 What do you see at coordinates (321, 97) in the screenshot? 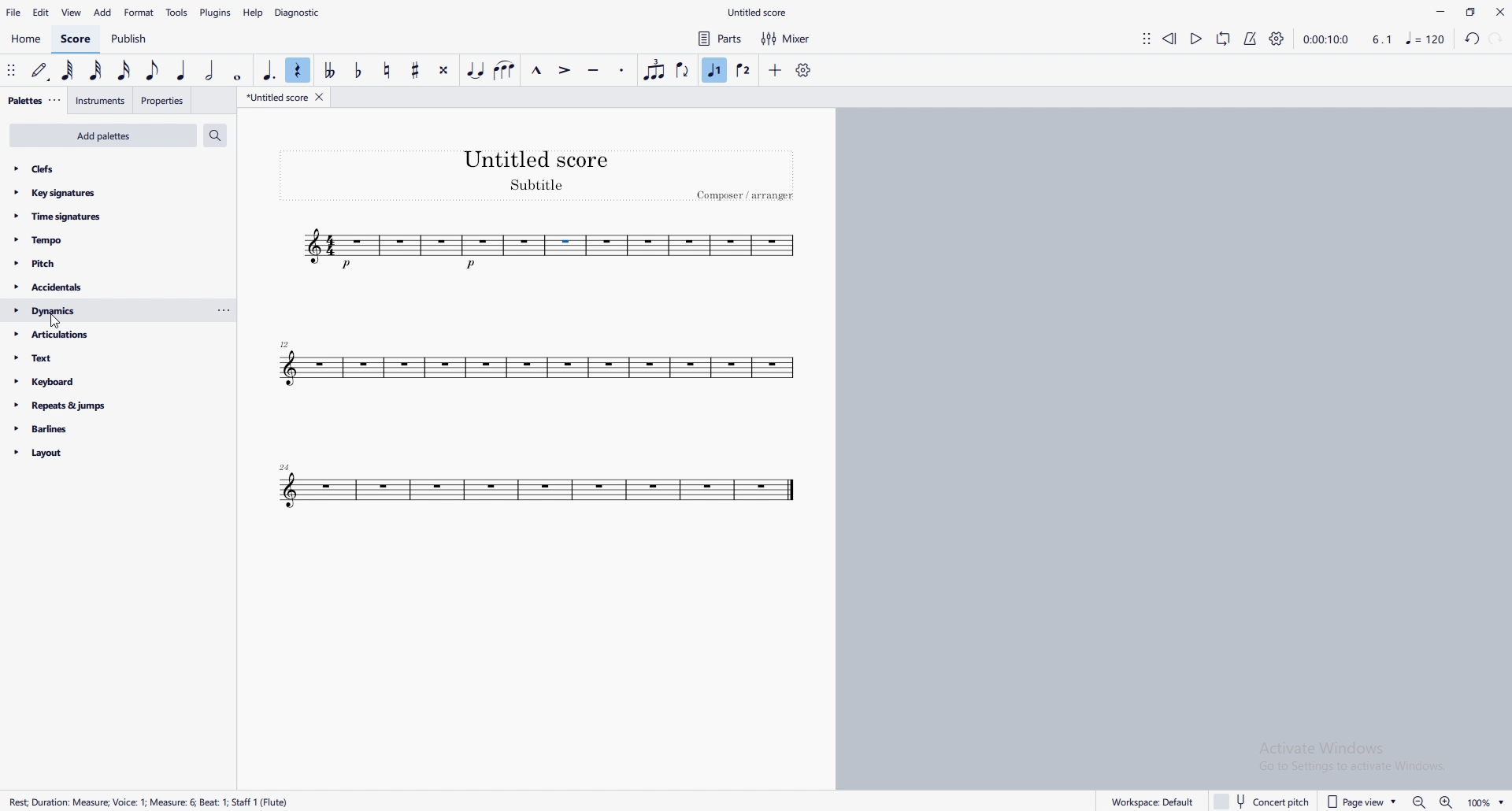
I see `close` at bounding box center [321, 97].